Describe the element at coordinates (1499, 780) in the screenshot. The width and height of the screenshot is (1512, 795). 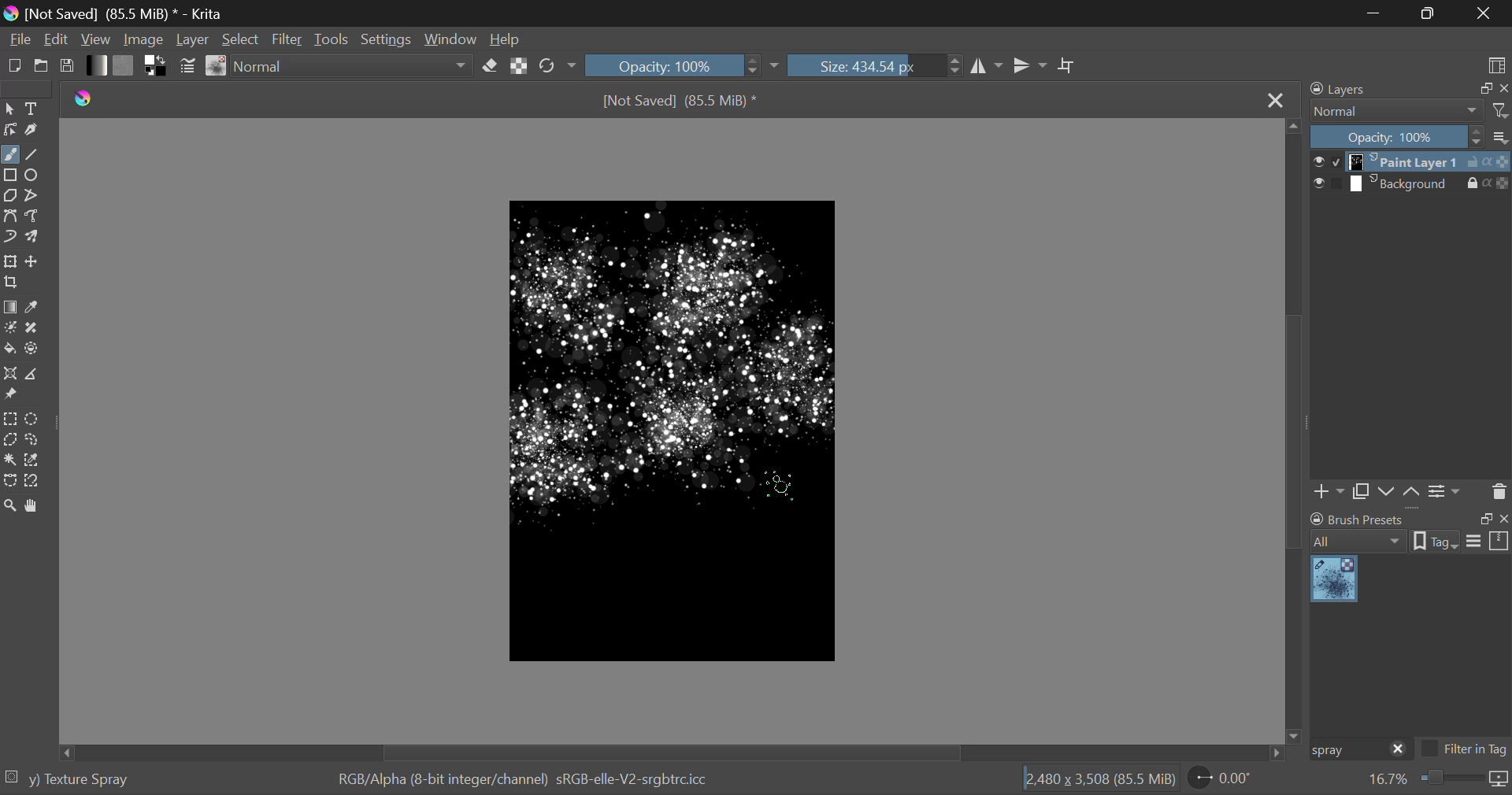
I see `icon` at that location.